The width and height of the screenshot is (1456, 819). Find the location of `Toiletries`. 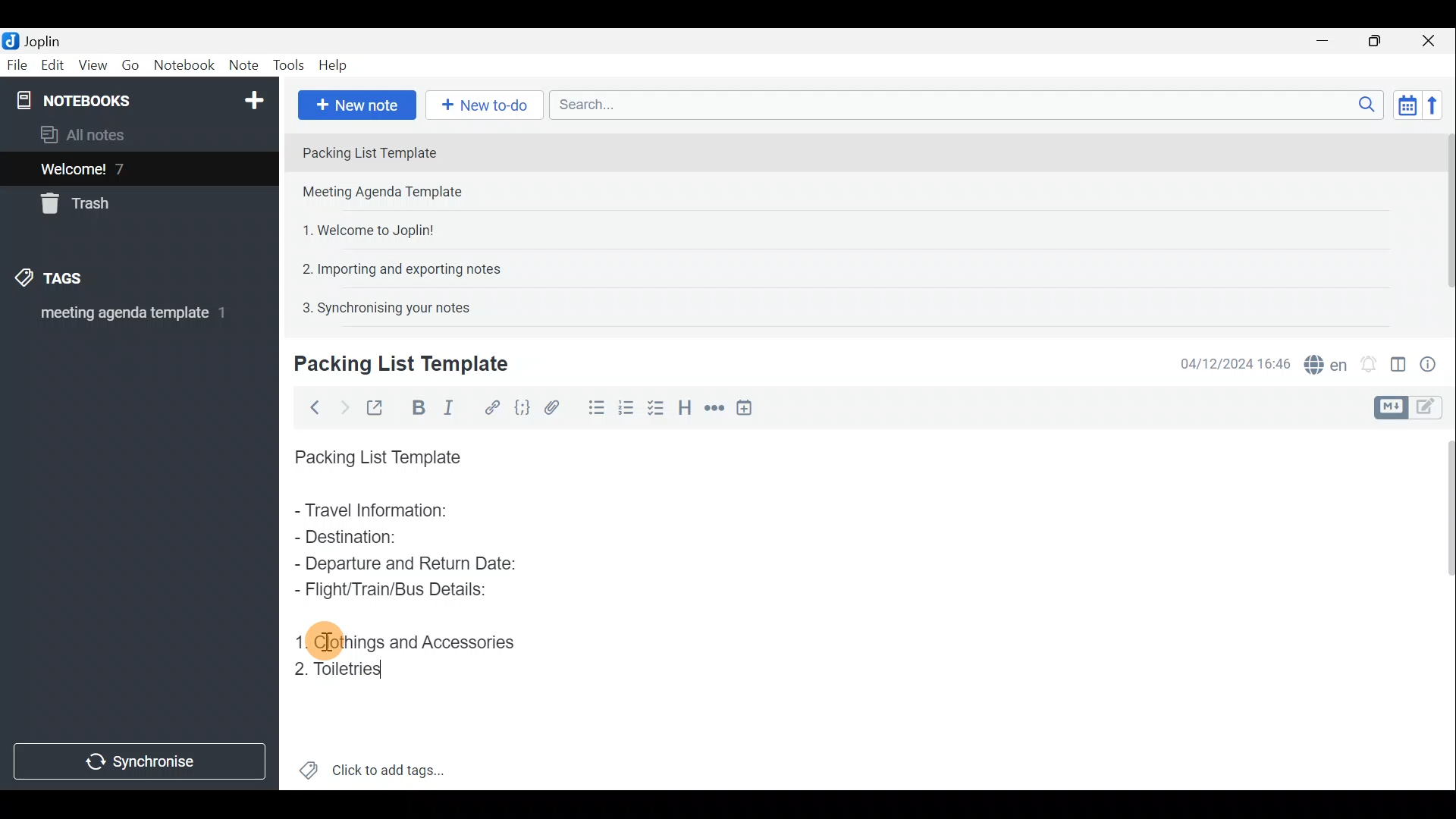

Toiletries is located at coordinates (342, 670).